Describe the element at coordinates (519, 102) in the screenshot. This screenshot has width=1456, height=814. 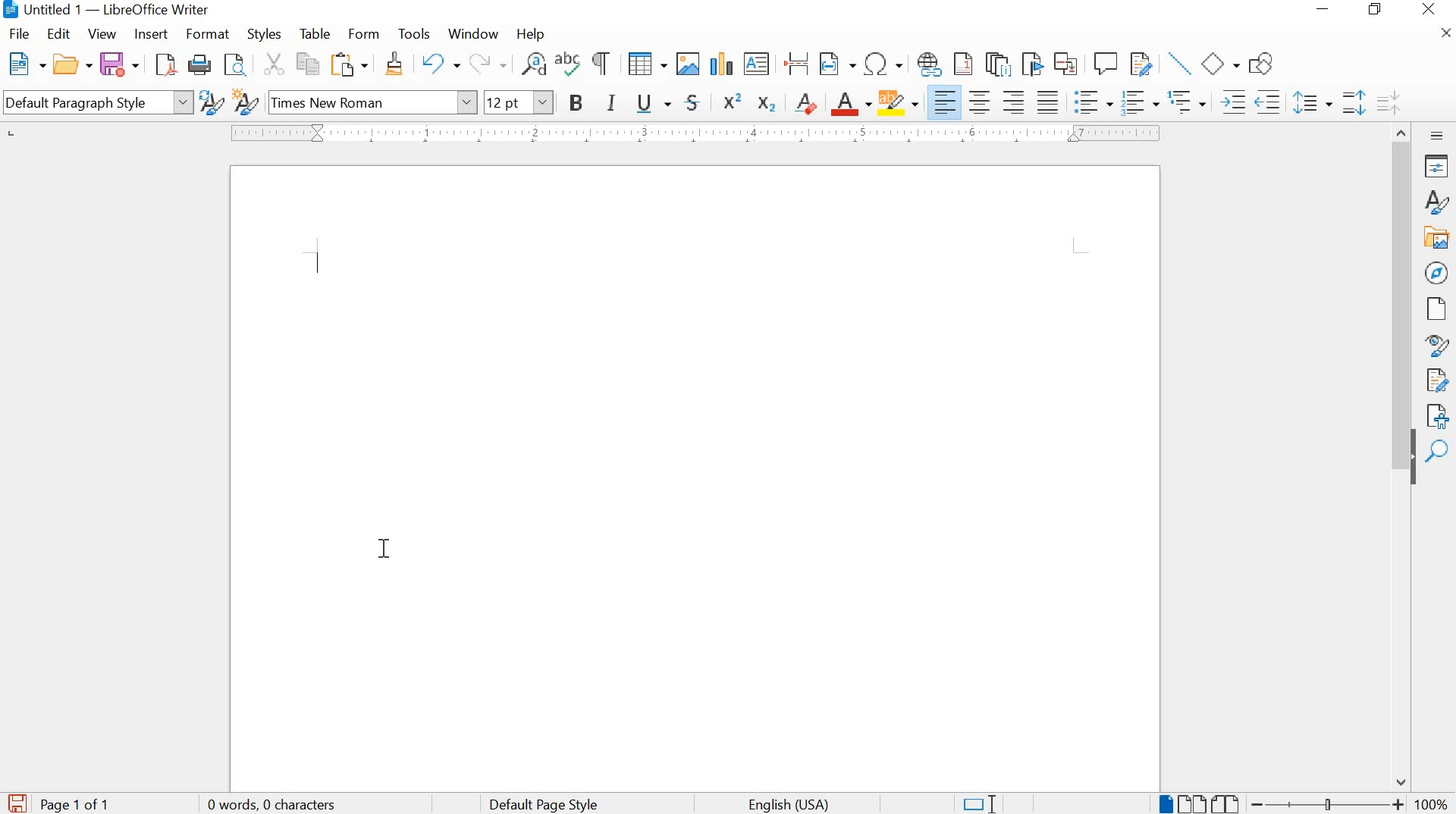
I see `FONT SIZE` at that location.